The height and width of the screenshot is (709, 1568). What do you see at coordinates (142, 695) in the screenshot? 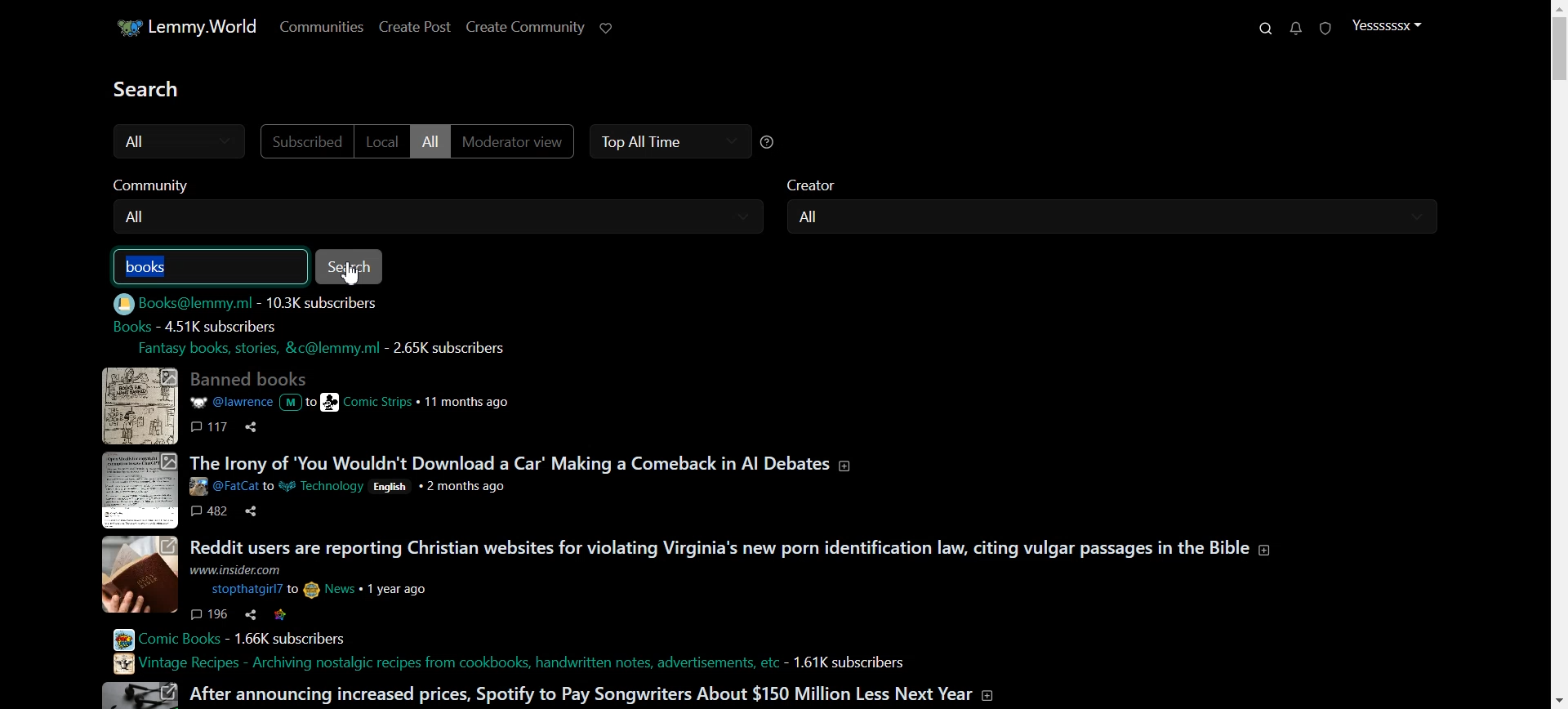
I see `image` at bounding box center [142, 695].